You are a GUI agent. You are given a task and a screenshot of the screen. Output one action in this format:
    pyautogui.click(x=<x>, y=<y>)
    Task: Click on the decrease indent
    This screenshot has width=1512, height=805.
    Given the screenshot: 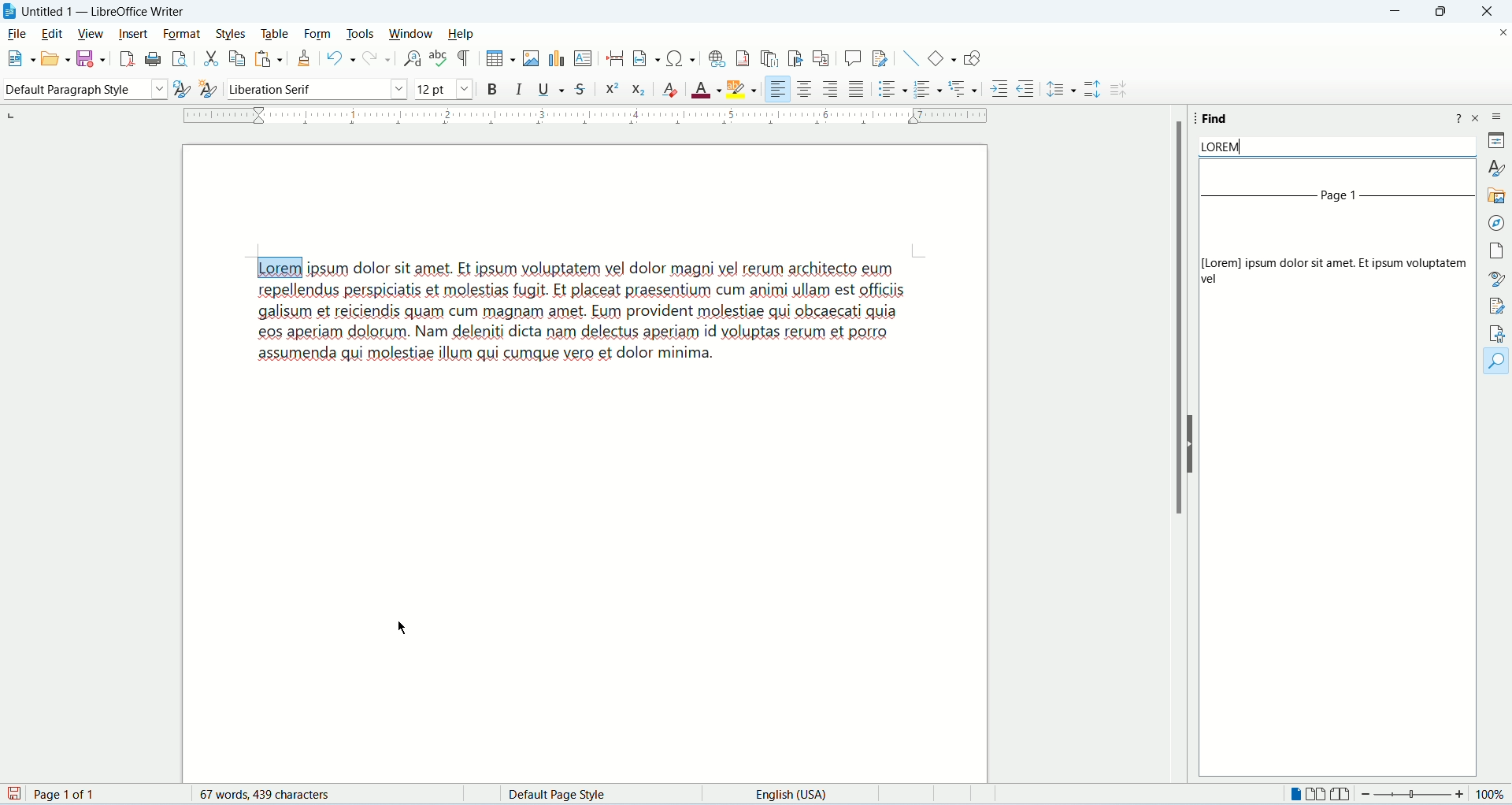 What is the action you would take?
    pyautogui.click(x=1025, y=88)
    